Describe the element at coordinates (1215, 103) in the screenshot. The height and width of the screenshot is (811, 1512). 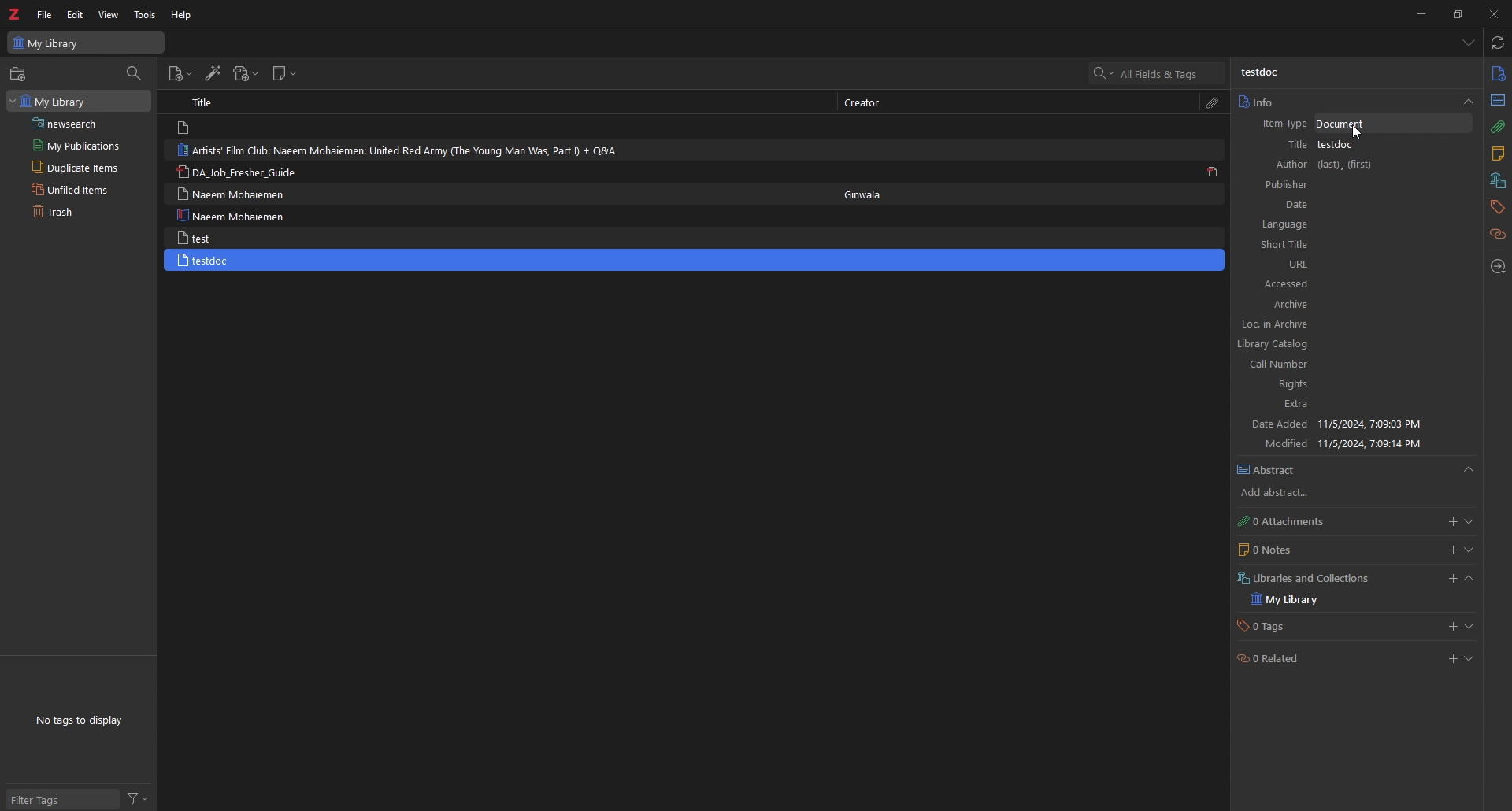
I see `attachment` at that location.